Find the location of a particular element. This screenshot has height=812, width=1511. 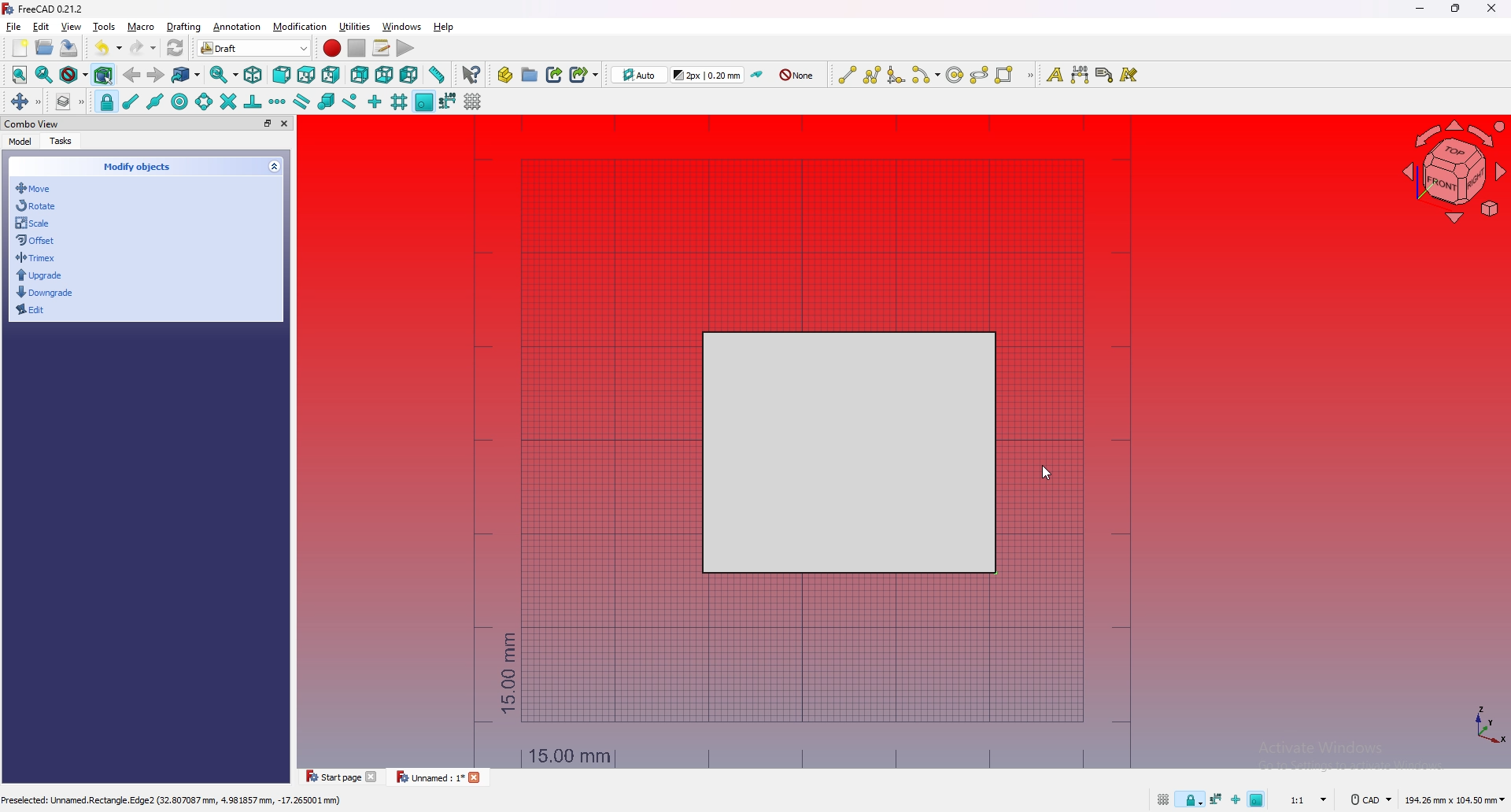

top is located at coordinates (306, 75).